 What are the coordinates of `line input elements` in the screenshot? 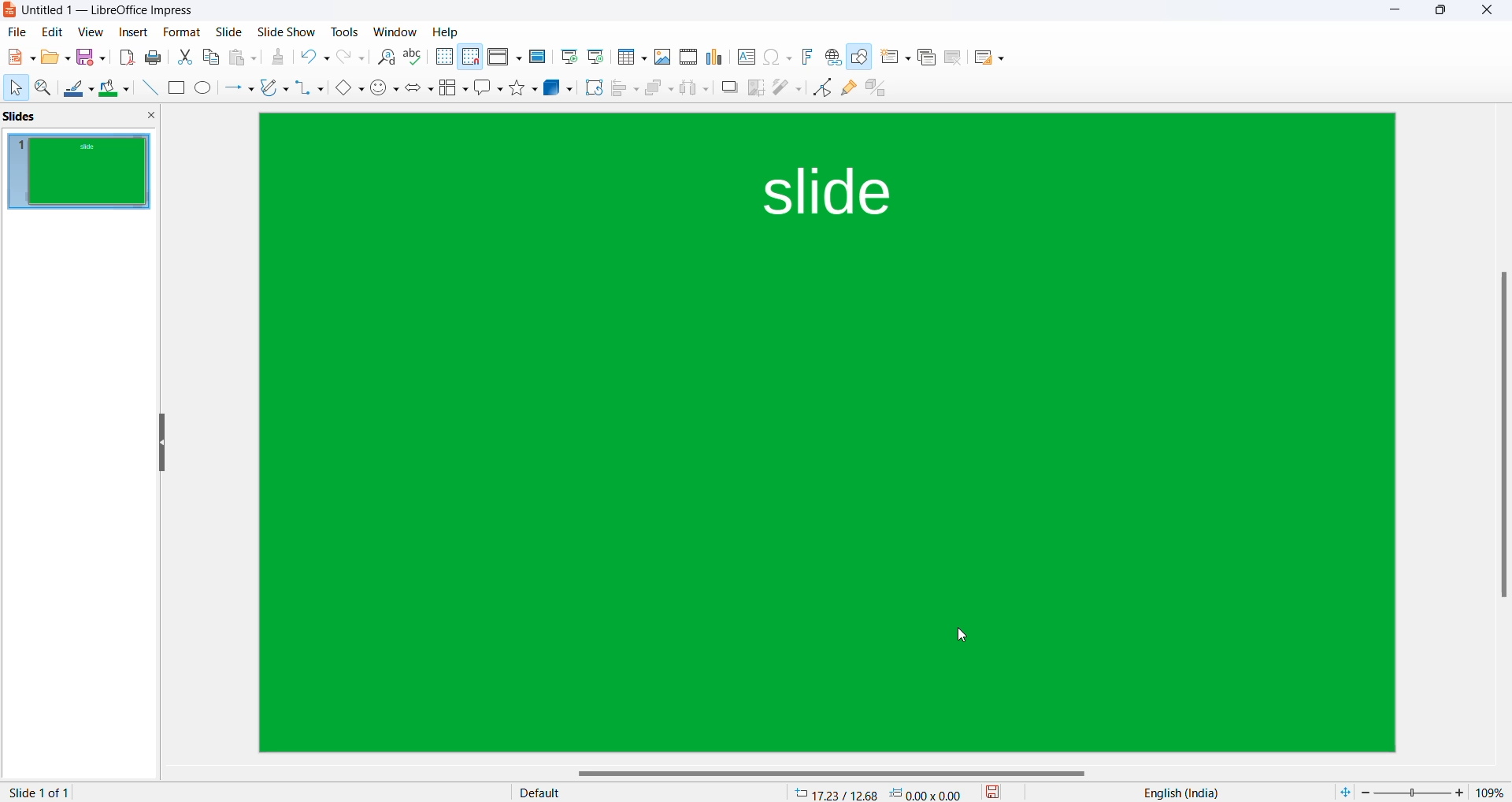 It's located at (148, 88).